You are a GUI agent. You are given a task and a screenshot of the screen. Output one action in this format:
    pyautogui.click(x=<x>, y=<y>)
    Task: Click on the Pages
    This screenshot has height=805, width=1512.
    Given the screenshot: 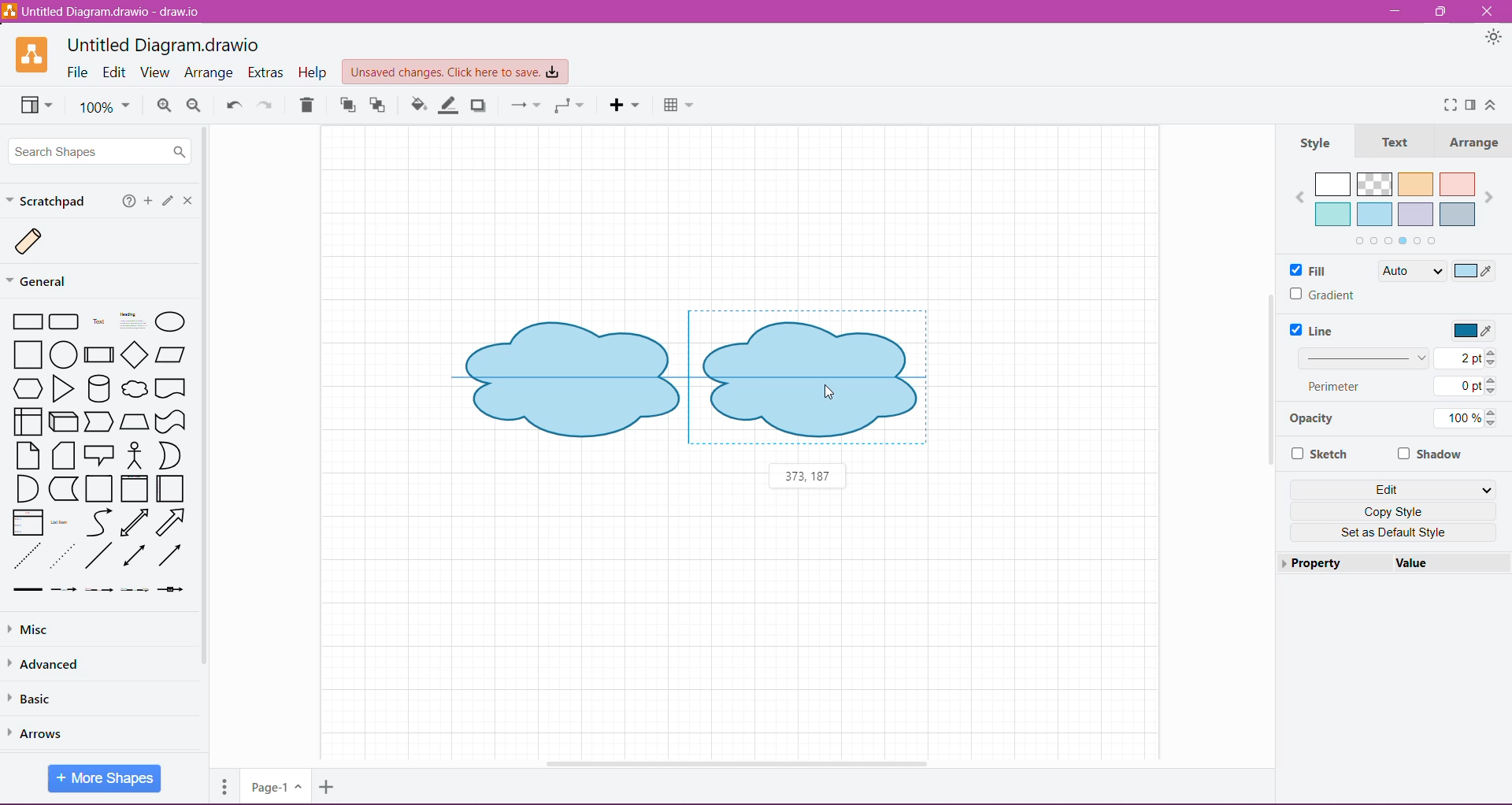 What is the action you would take?
    pyautogui.click(x=224, y=786)
    